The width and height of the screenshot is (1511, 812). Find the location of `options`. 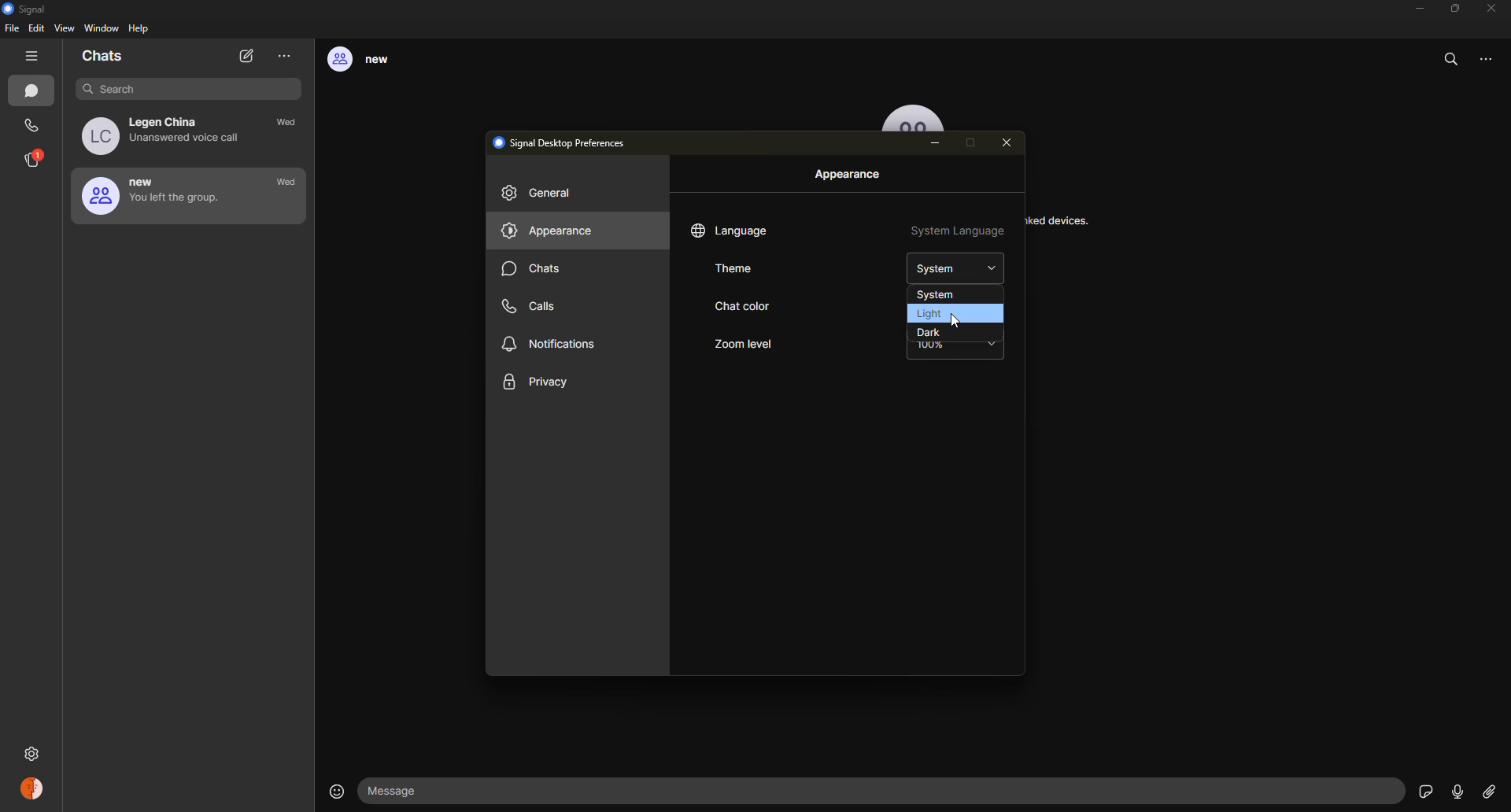

options is located at coordinates (1493, 65).